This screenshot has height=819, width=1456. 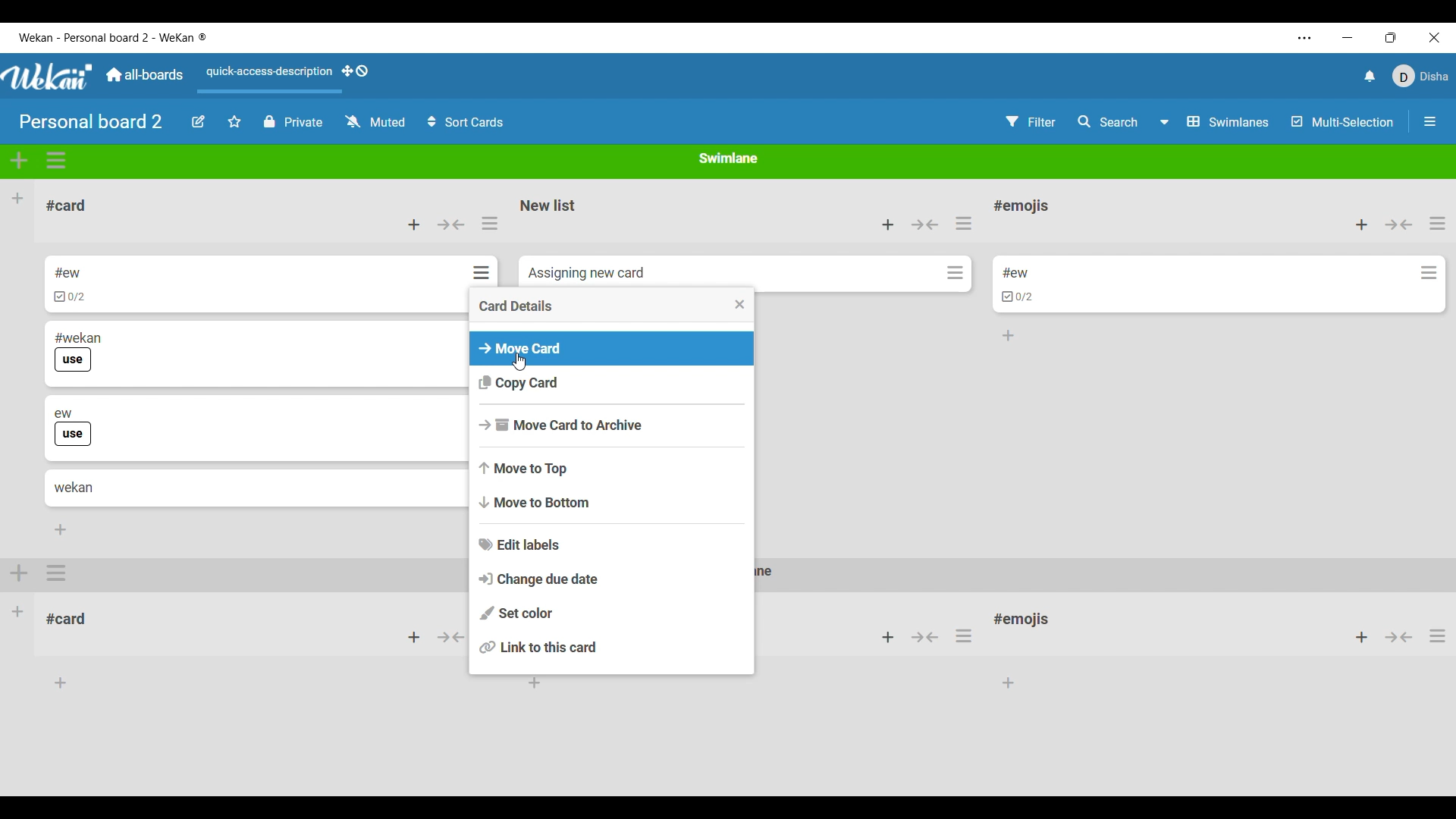 I want to click on Add swimlane, so click(x=20, y=160).